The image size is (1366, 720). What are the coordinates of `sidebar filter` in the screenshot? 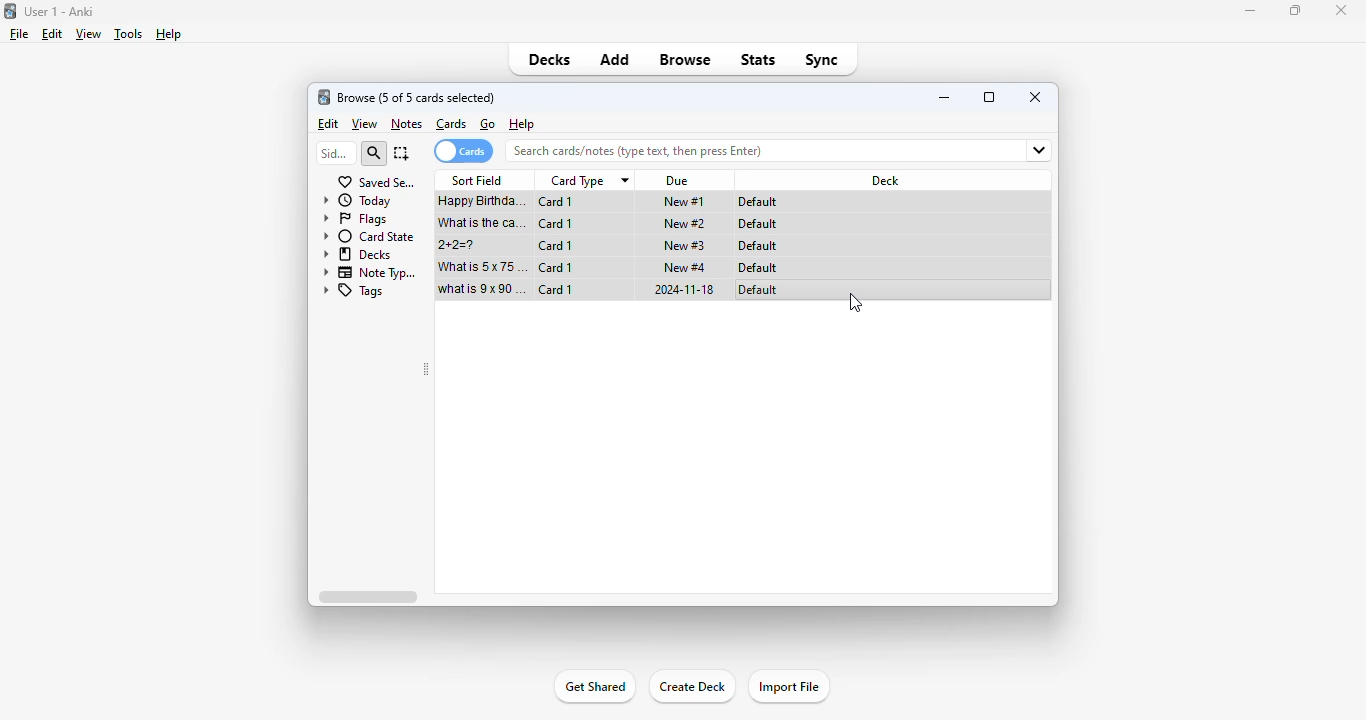 It's located at (335, 153).